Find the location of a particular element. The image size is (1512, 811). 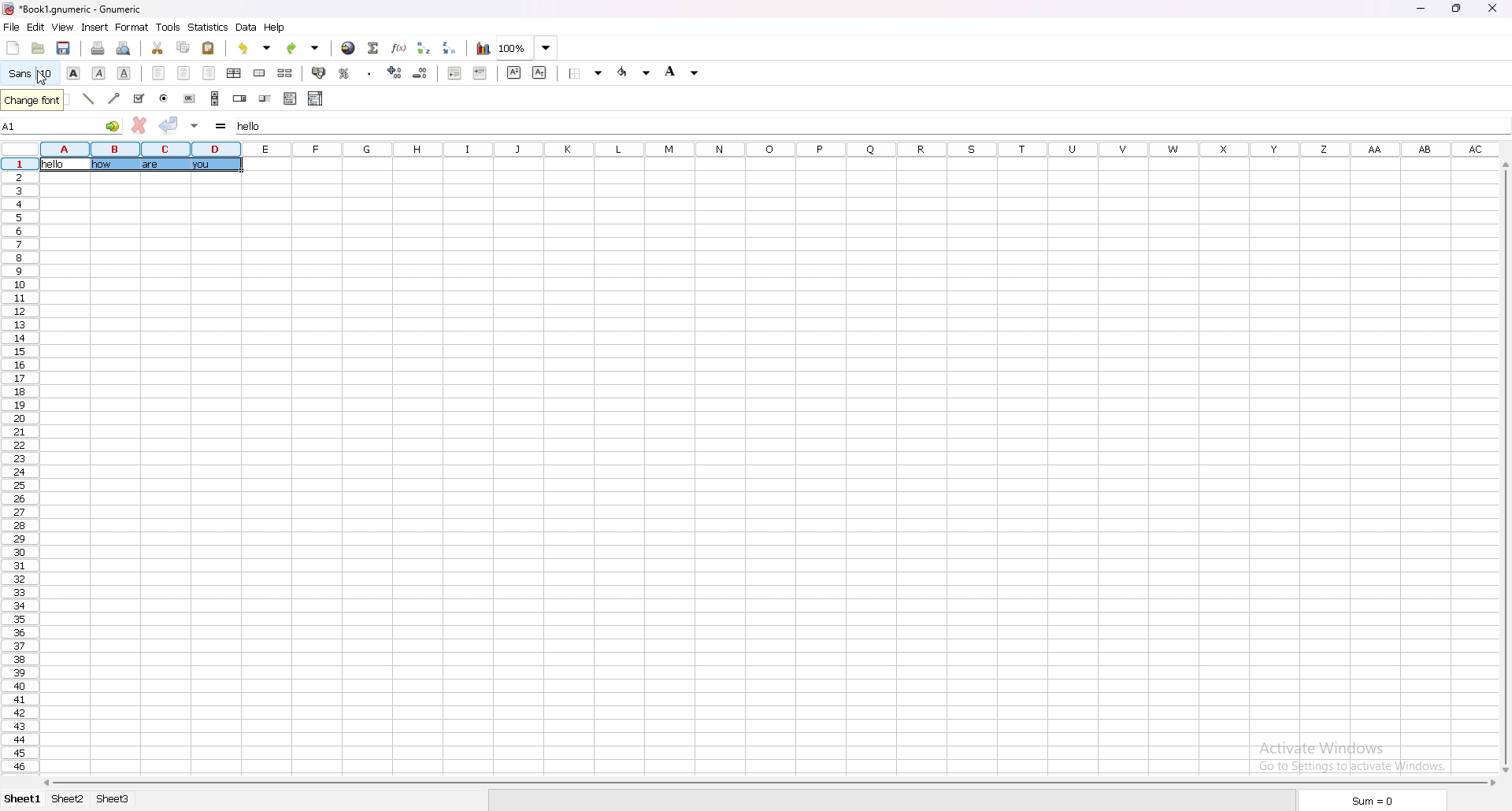

cursor description is located at coordinates (31, 101).